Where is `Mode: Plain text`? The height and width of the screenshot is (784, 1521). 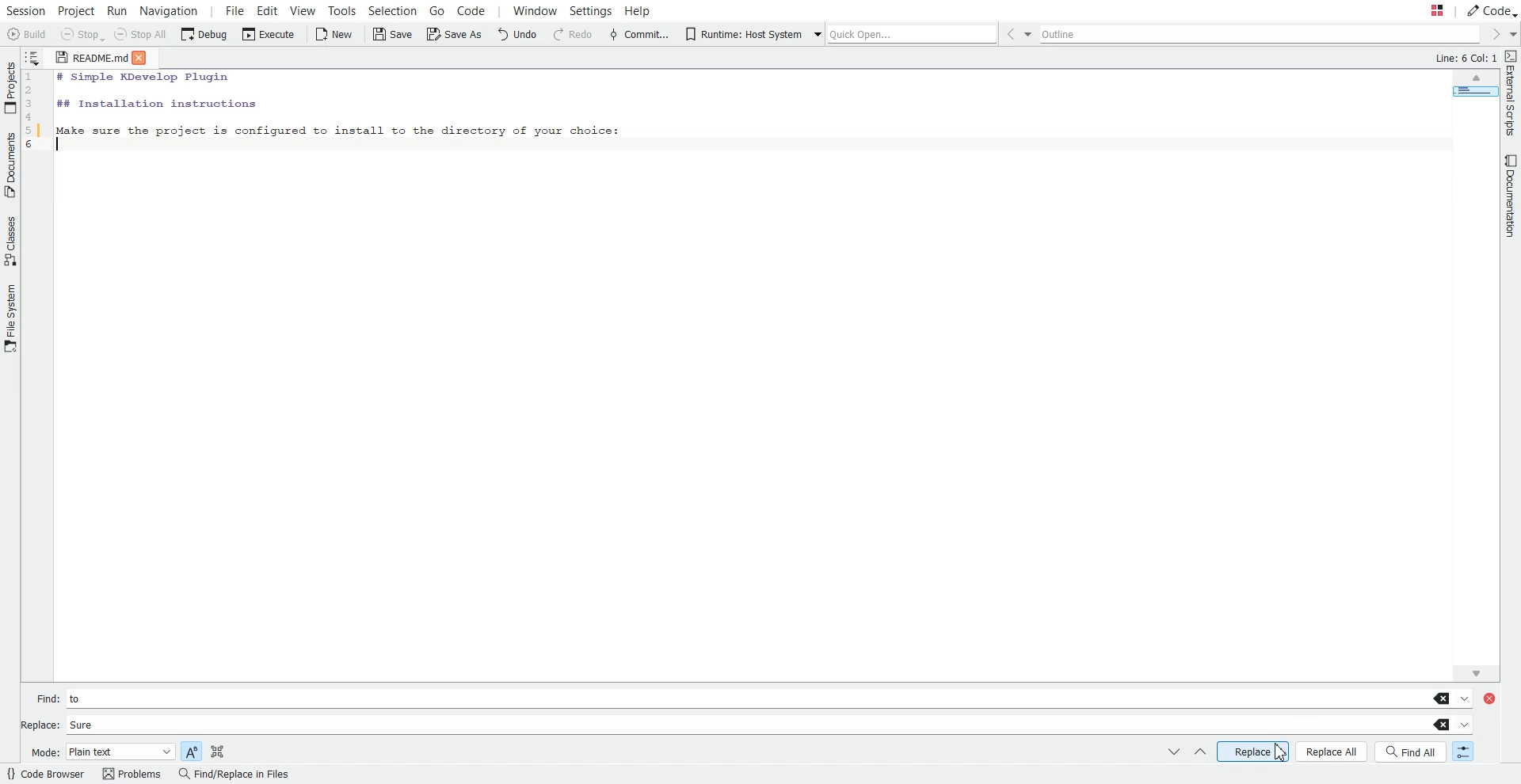 Mode: Plain text is located at coordinates (101, 752).